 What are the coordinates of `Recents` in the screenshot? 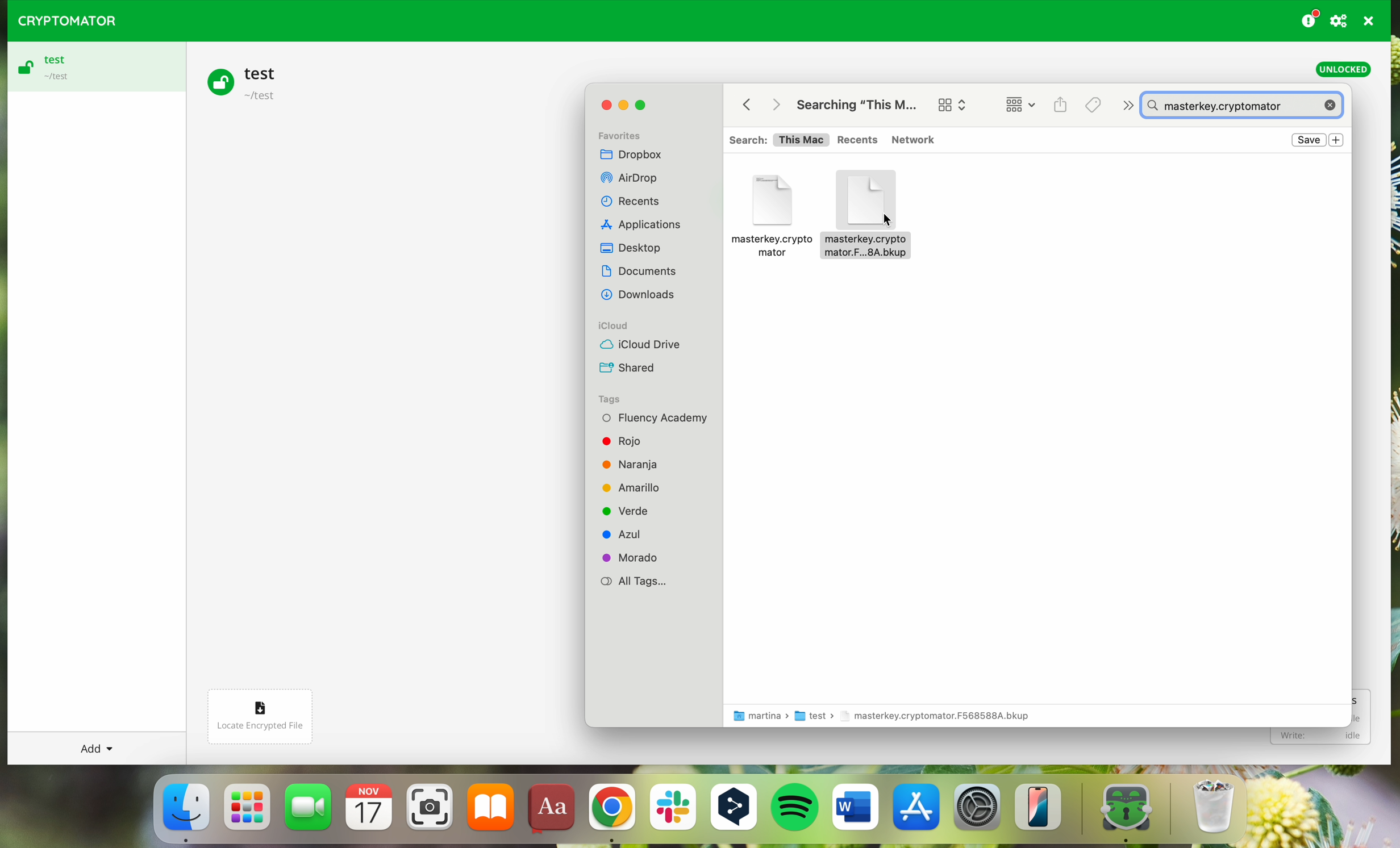 It's located at (859, 140).